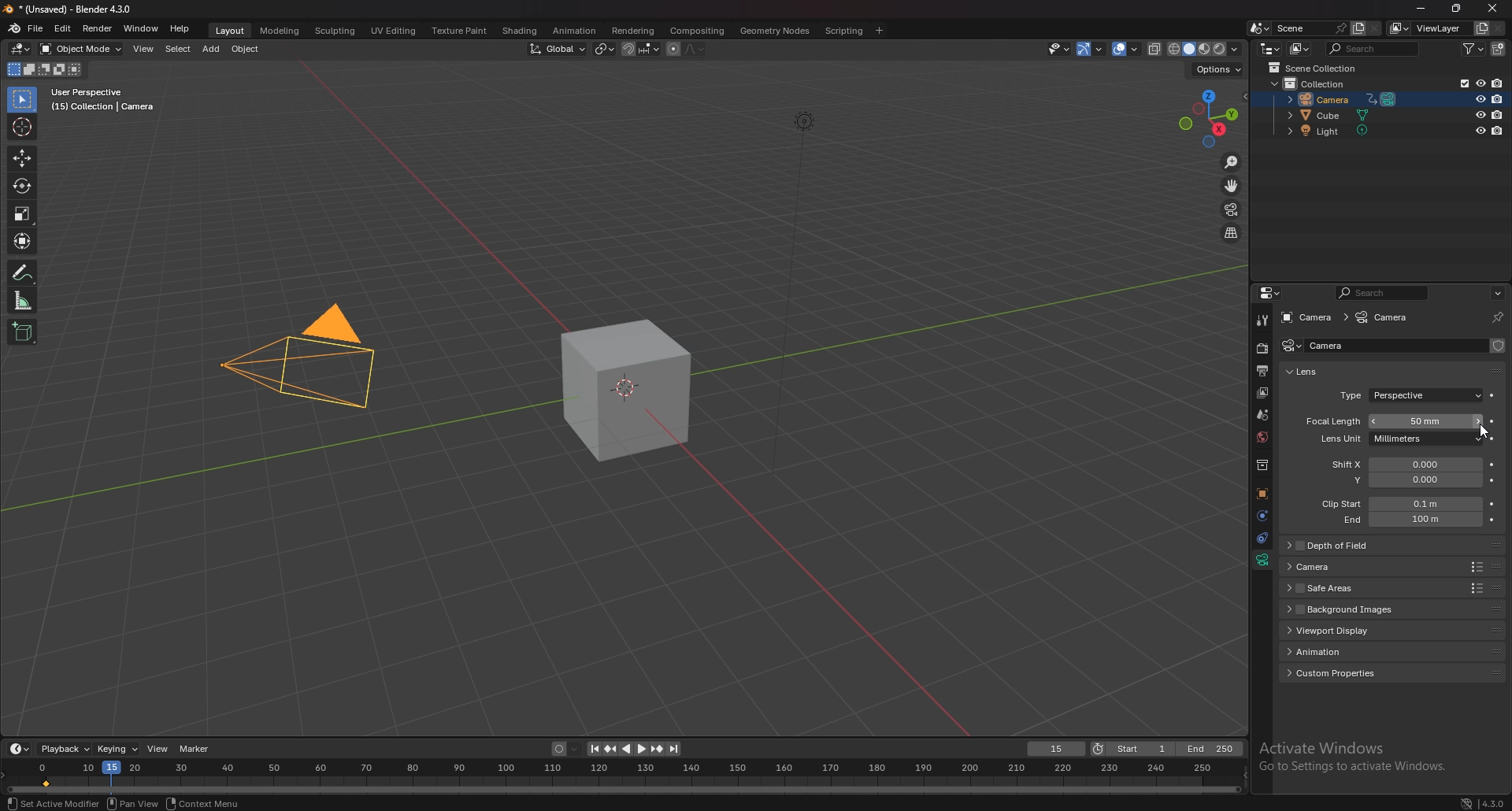  What do you see at coordinates (635, 749) in the screenshot?
I see `play animation` at bounding box center [635, 749].